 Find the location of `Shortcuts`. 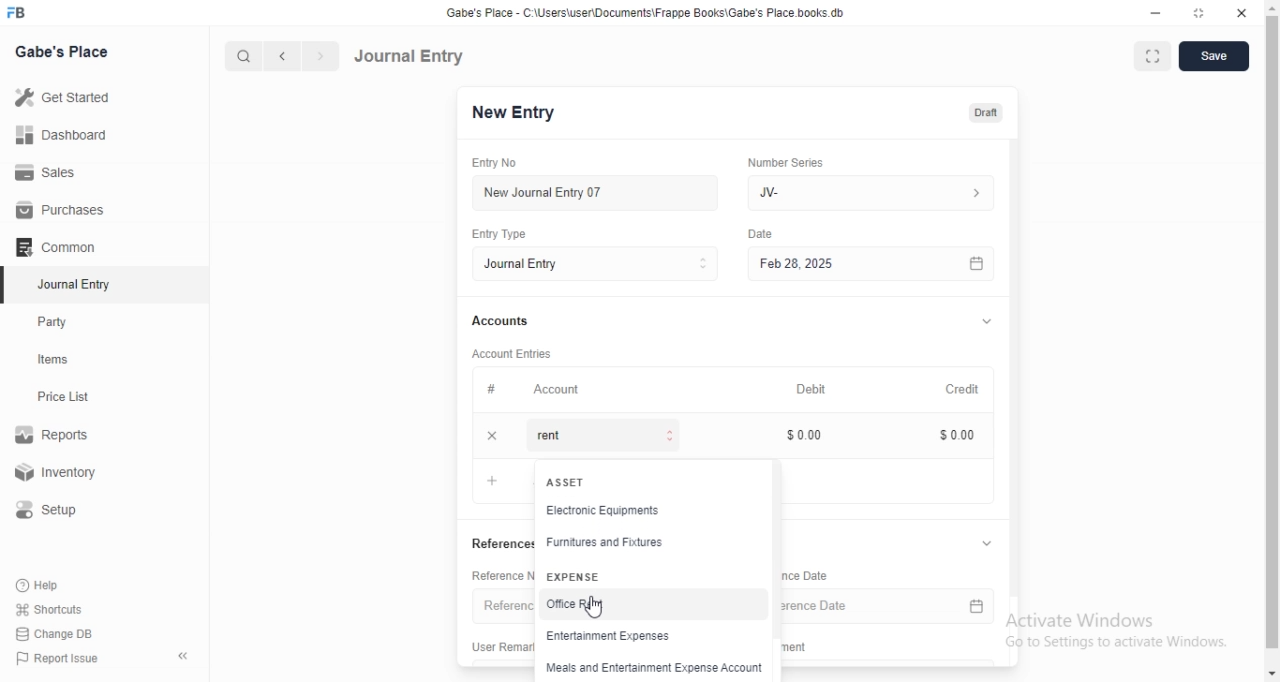

Shortcuts is located at coordinates (49, 608).